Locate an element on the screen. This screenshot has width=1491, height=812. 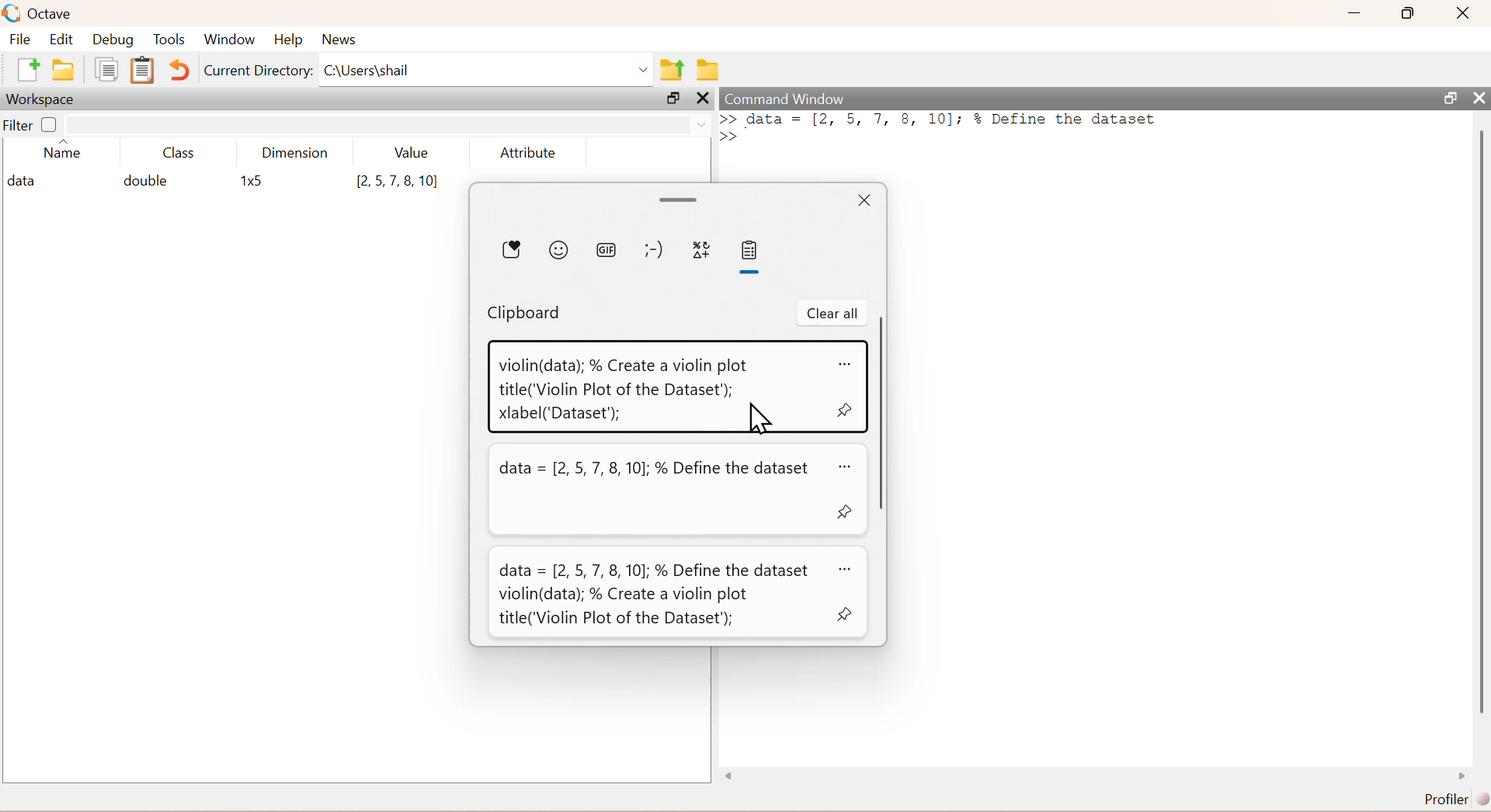
[2,5,7,8,10] is located at coordinates (398, 182).